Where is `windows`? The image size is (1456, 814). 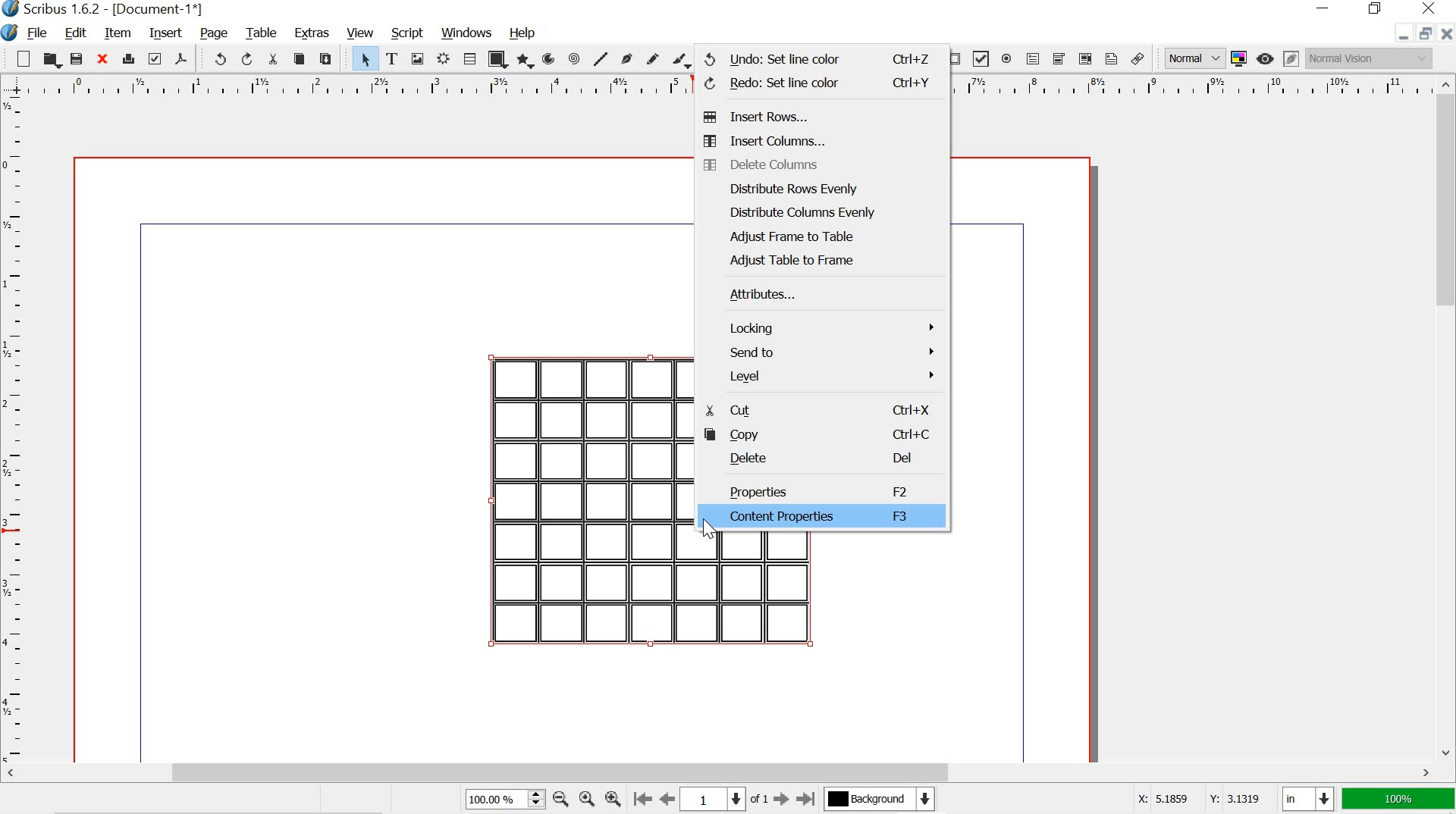 windows is located at coordinates (469, 33).